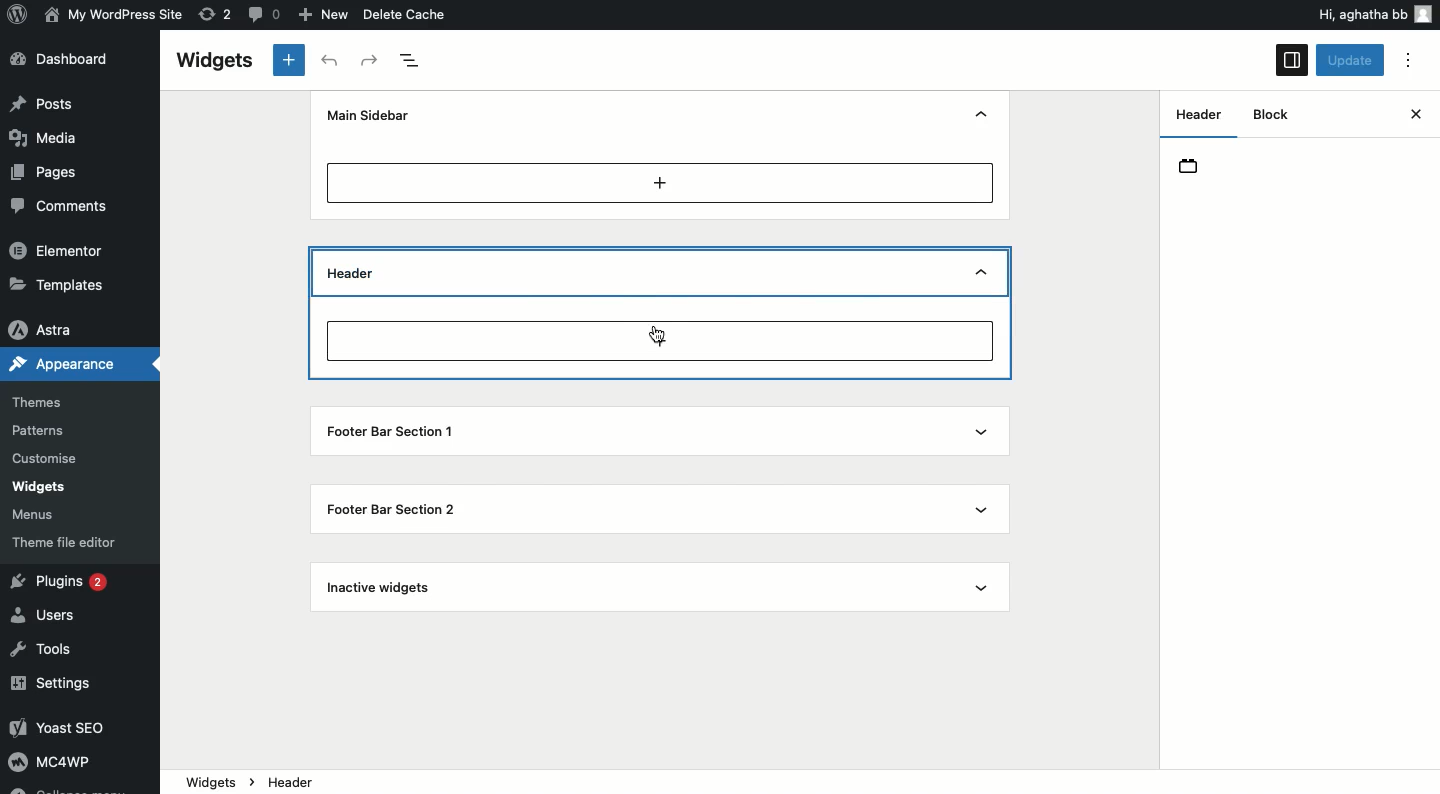  Describe the element at coordinates (62, 362) in the screenshot. I see `Appearance` at that location.